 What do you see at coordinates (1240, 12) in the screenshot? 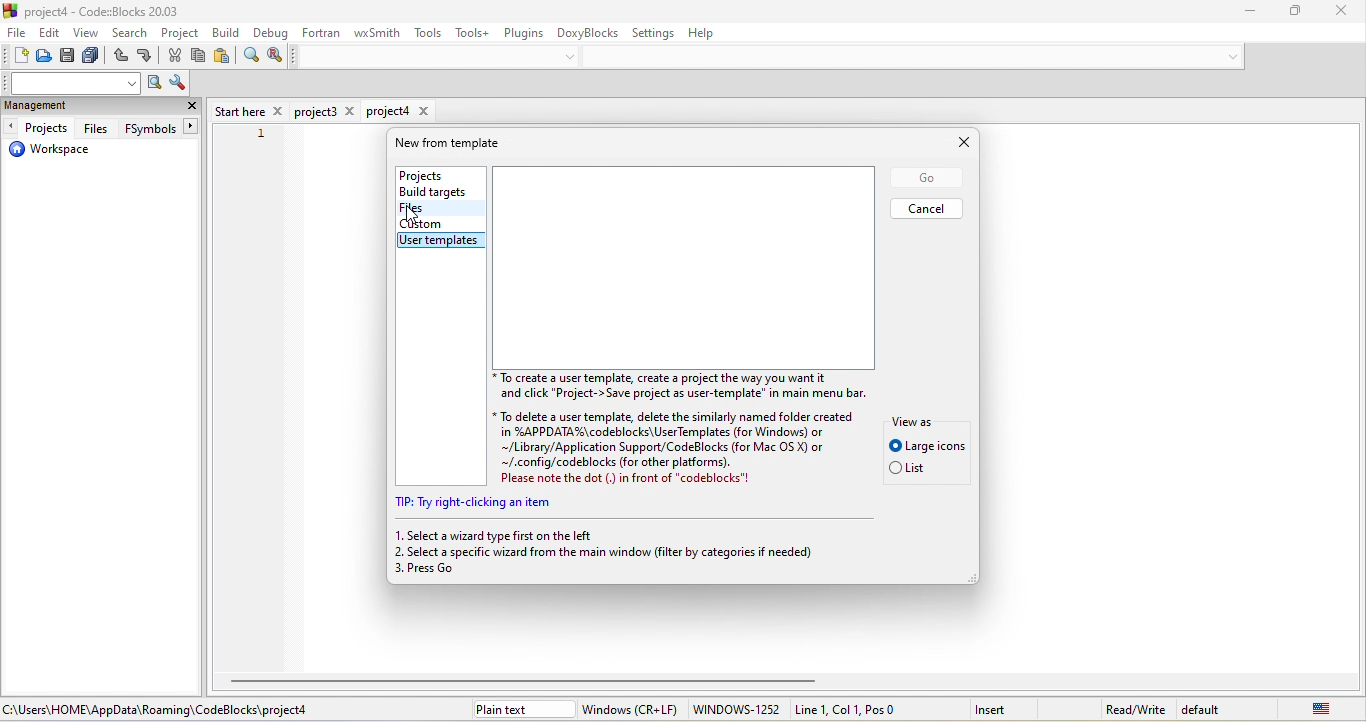
I see `minimize` at bounding box center [1240, 12].